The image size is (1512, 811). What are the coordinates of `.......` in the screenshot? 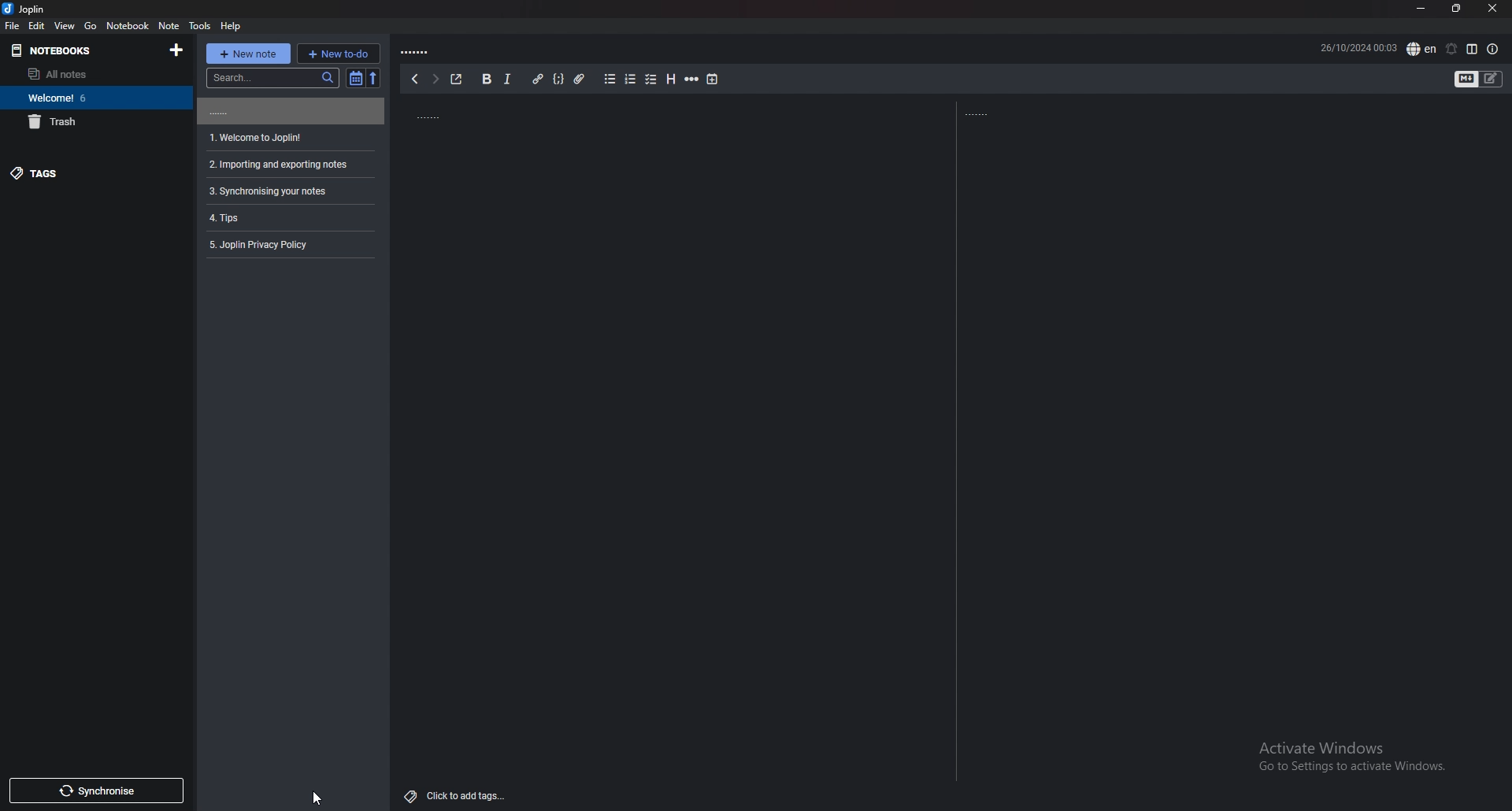 It's located at (476, 113).